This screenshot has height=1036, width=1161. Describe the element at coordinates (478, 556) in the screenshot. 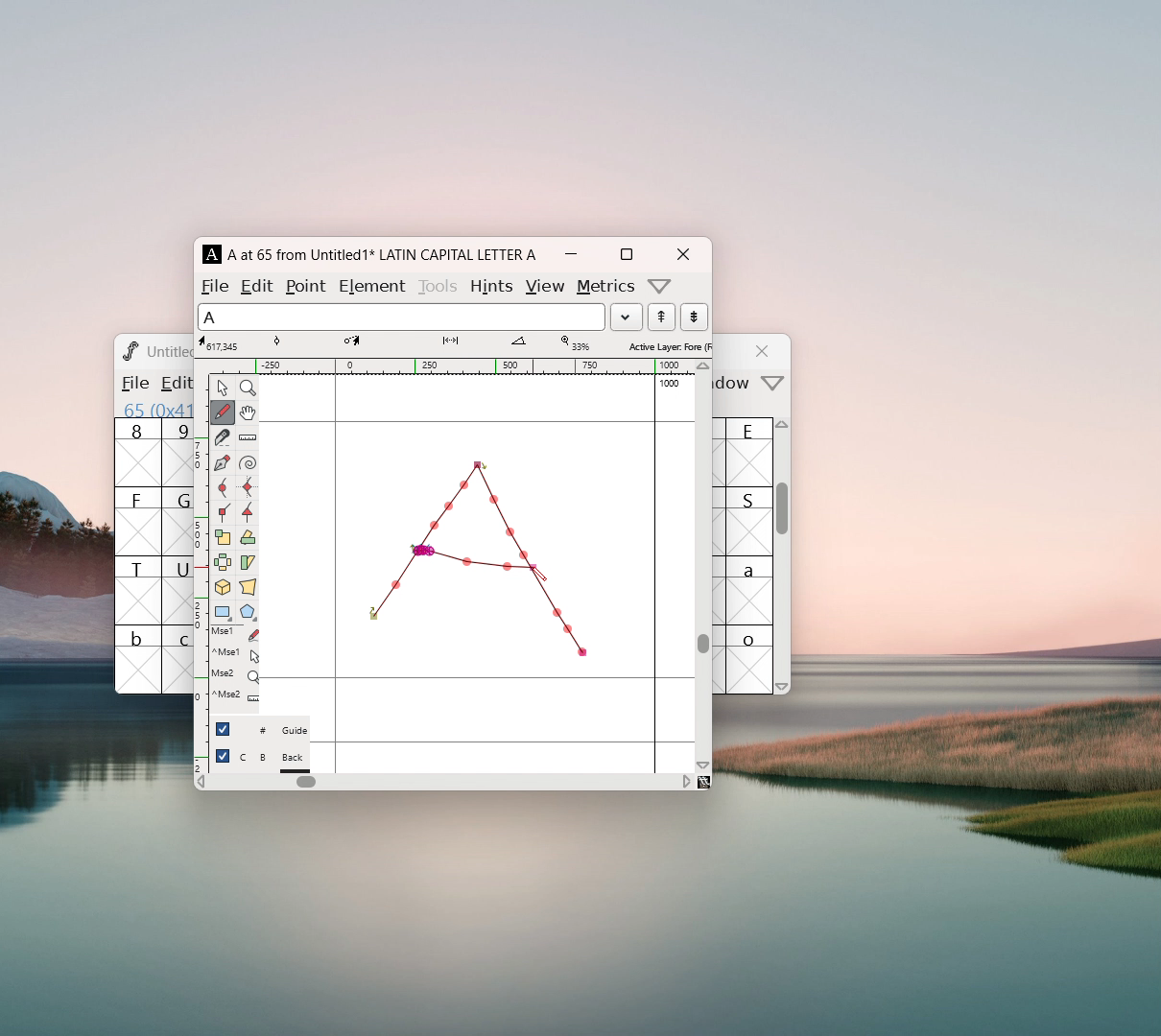

I see `draw A` at that location.